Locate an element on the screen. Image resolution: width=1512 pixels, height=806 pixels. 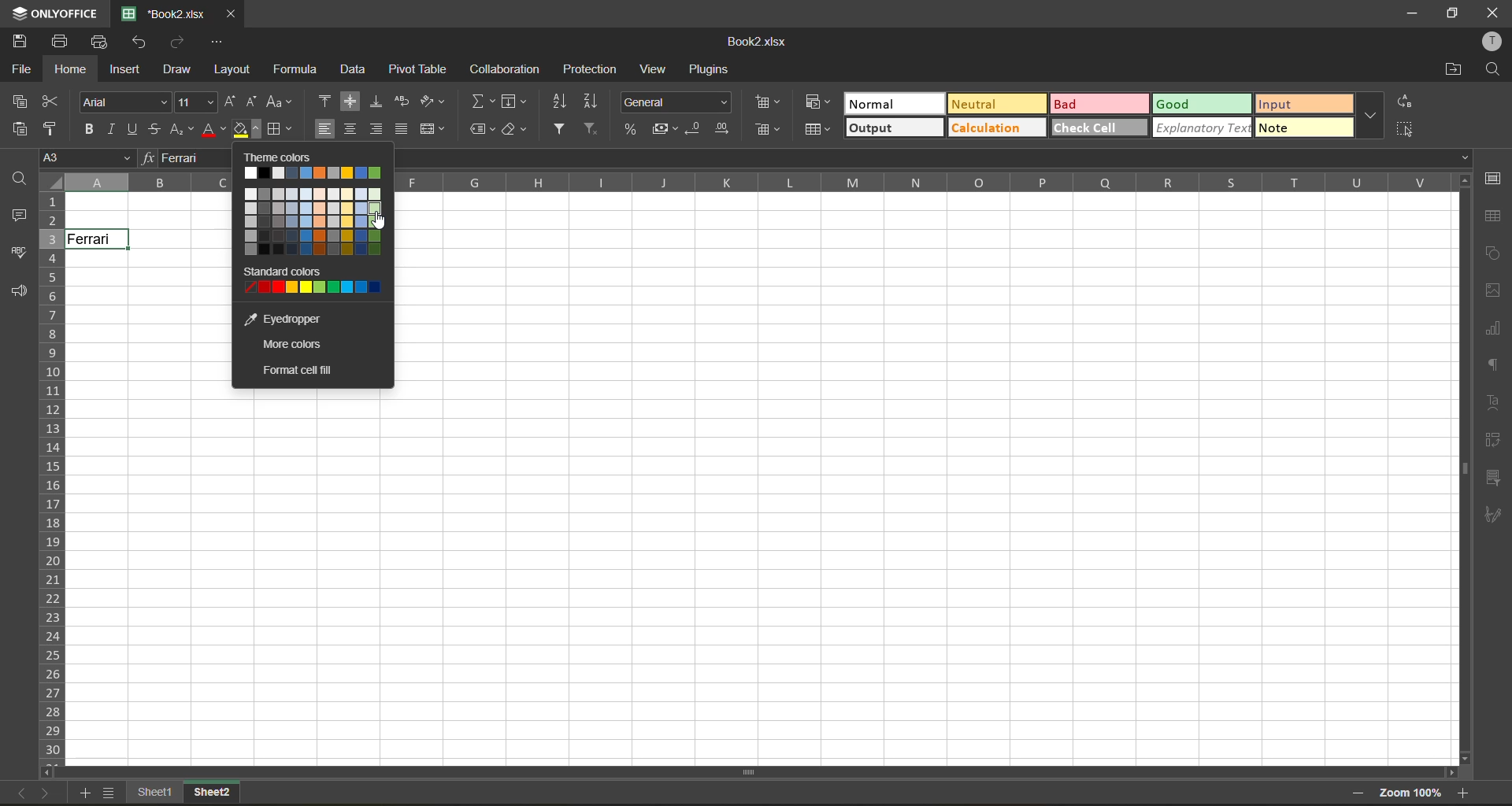
Formula bar is located at coordinates (944, 157).